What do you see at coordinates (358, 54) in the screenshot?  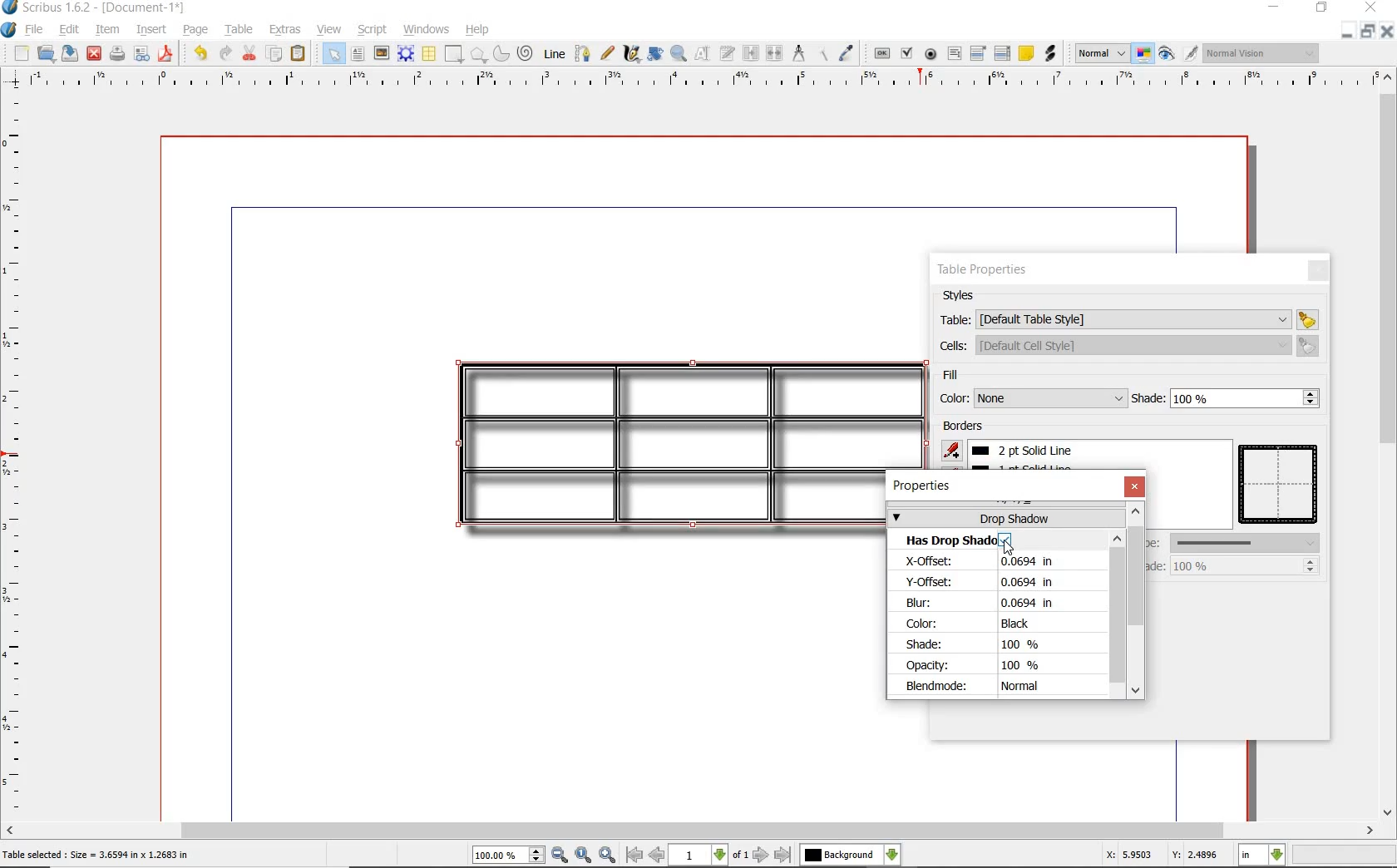 I see `text frame` at bounding box center [358, 54].